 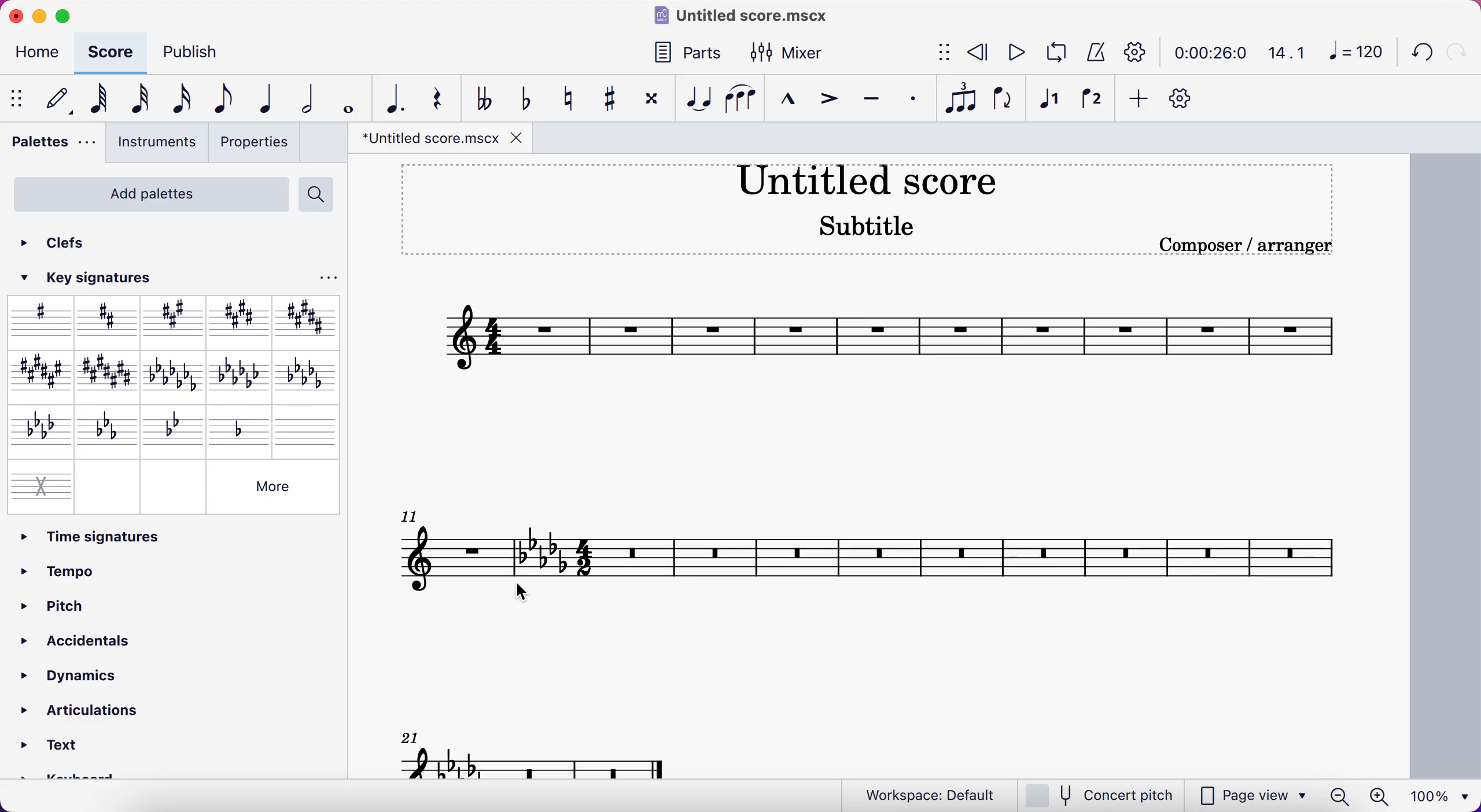 I want to click on G minor, so click(x=176, y=428).